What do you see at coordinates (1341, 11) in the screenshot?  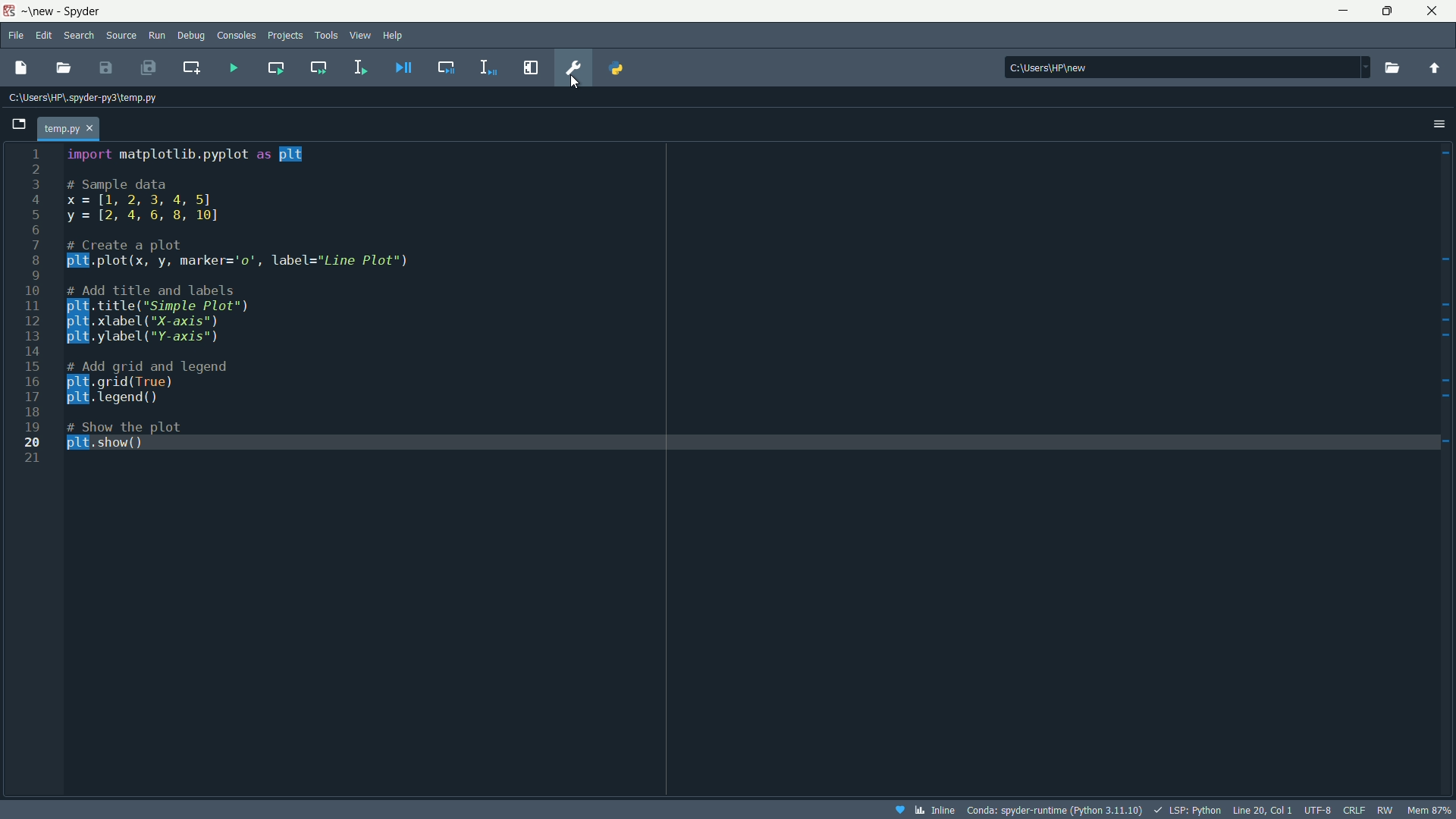 I see `minimize` at bounding box center [1341, 11].